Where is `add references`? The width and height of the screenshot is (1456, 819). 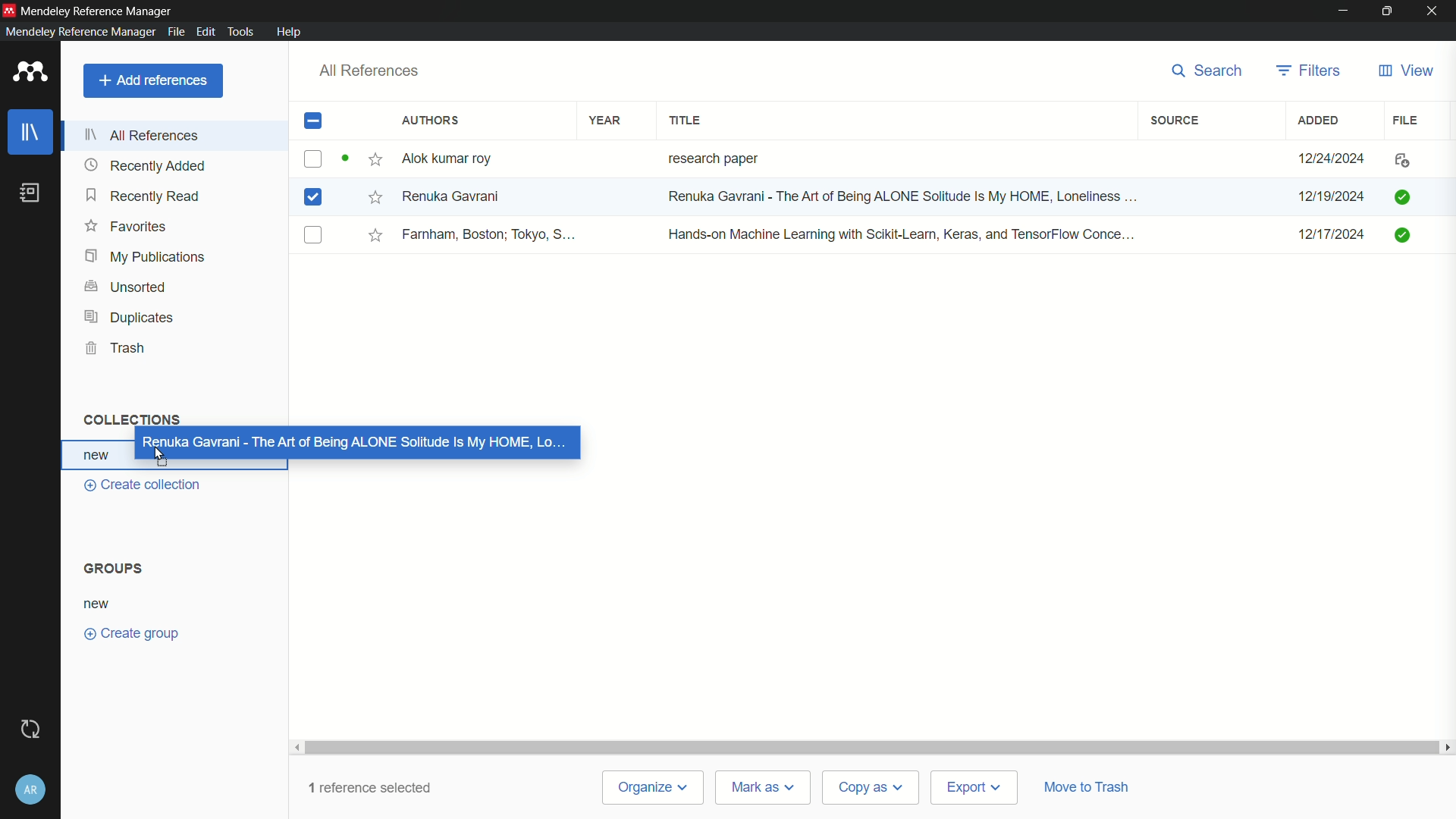
add references is located at coordinates (152, 82).